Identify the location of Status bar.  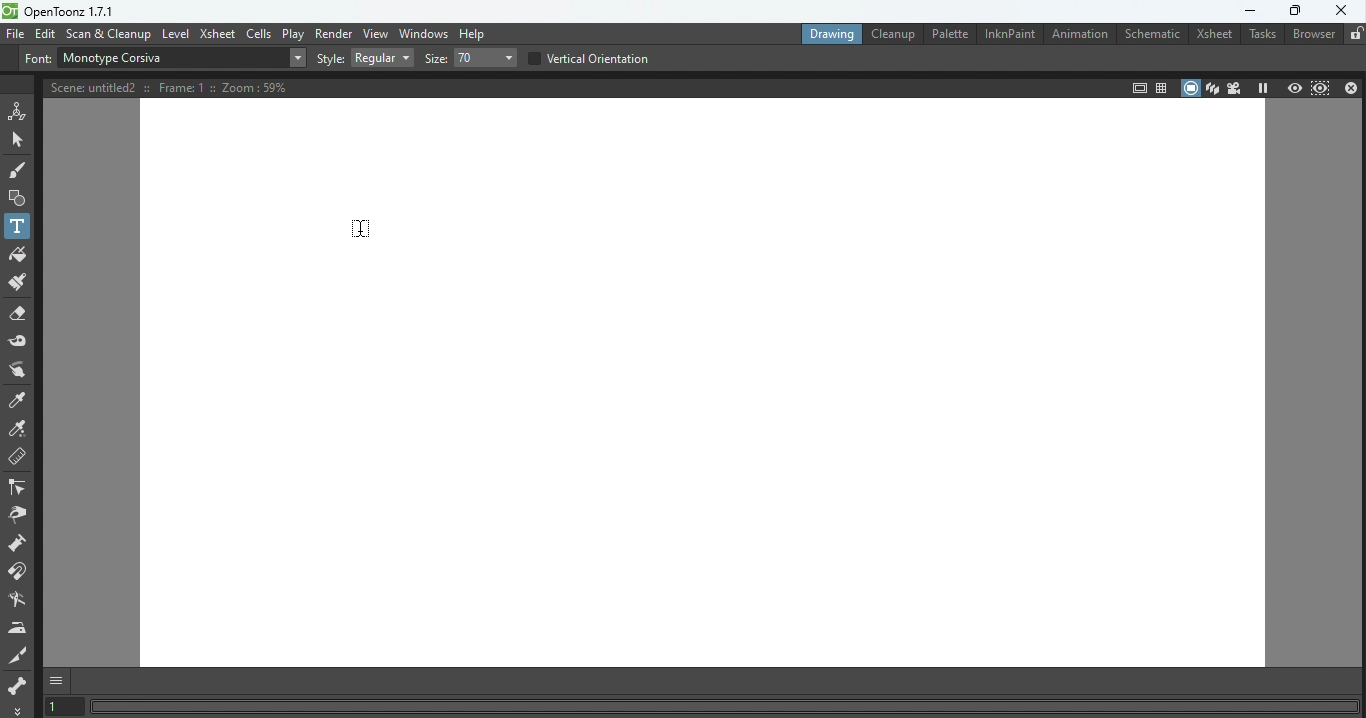
(731, 705).